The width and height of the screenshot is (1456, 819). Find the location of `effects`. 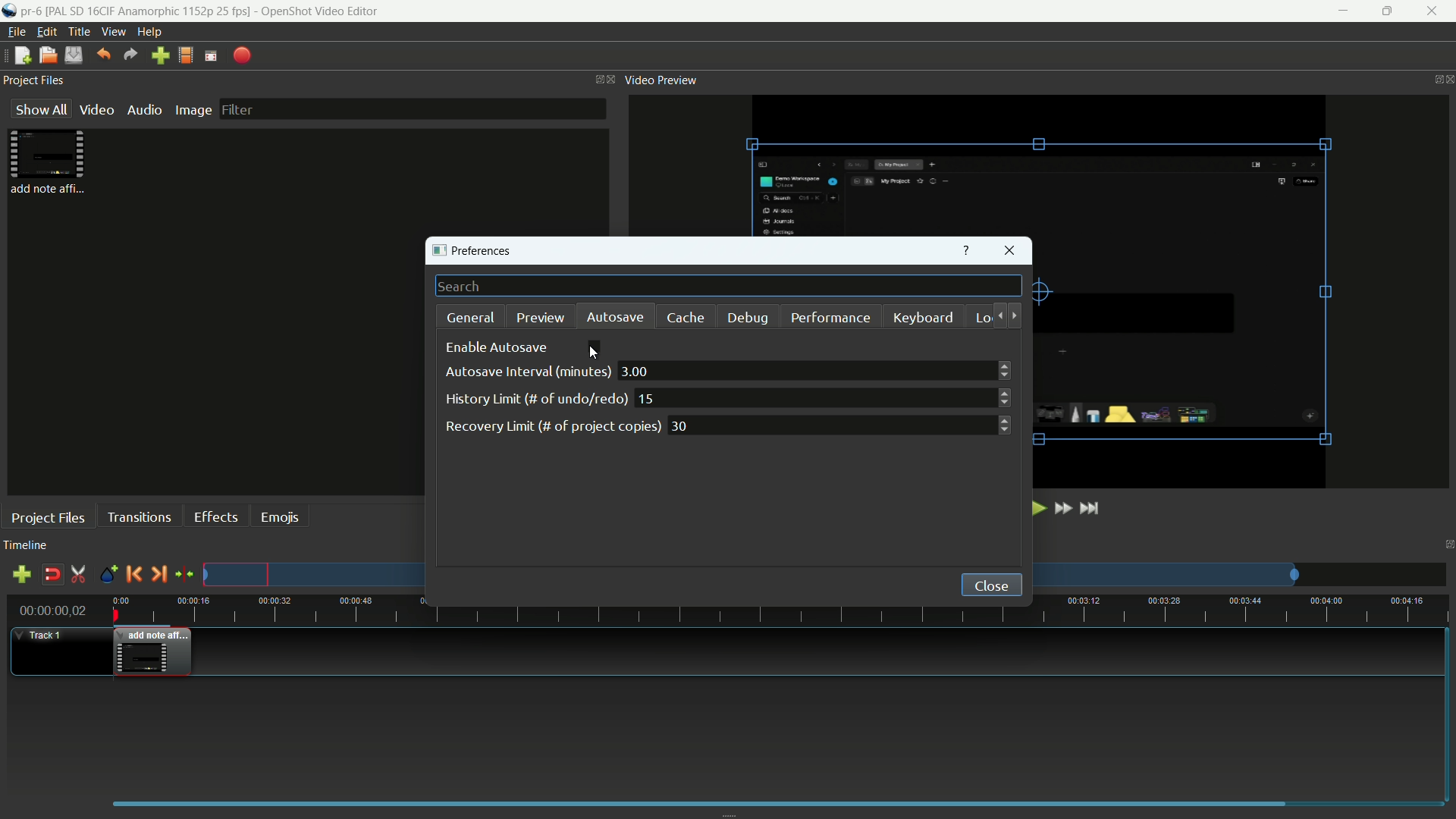

effects is located at coordinates (216, 516).